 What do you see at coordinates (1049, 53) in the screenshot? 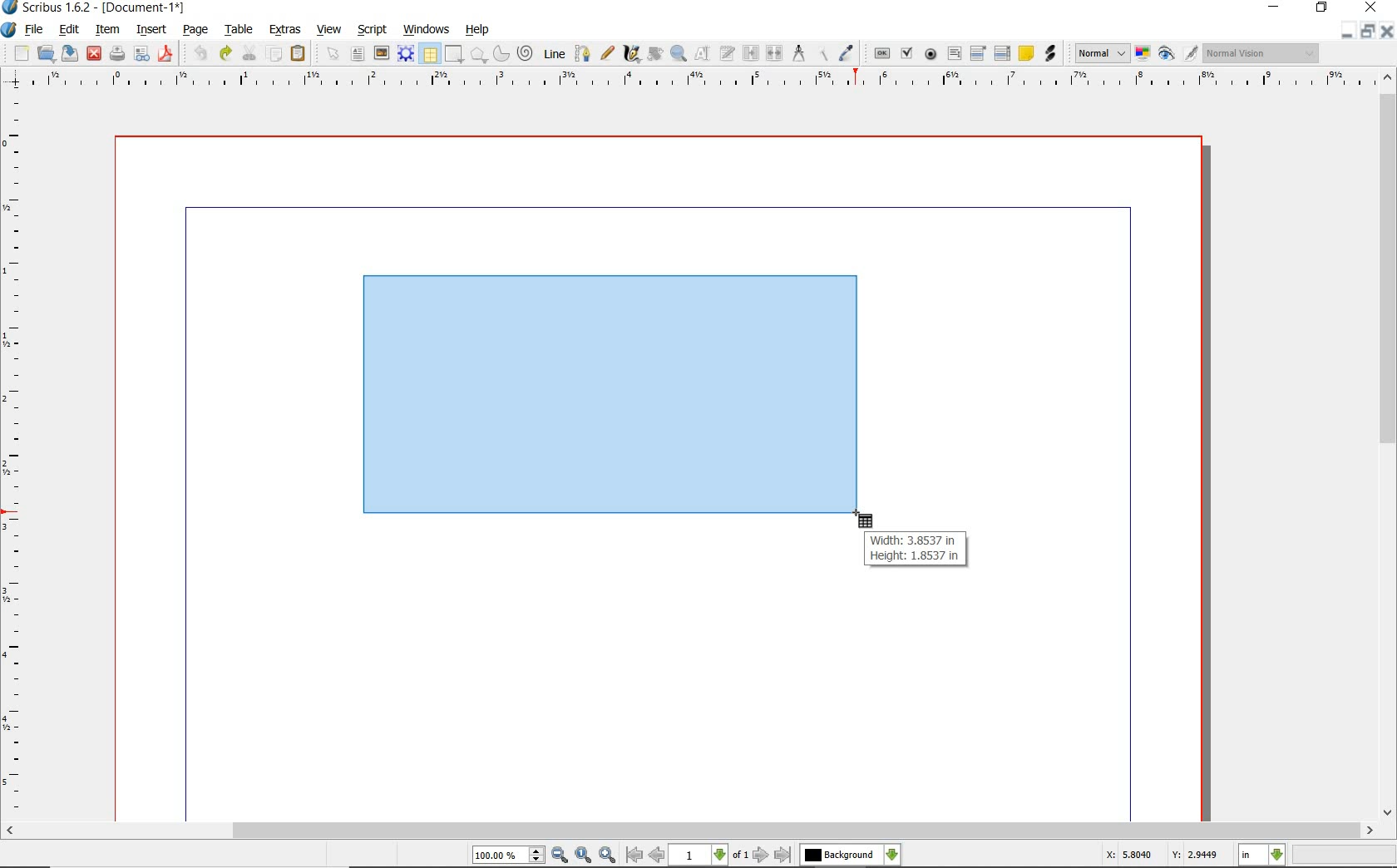
I see `link annotation` at bounding box center [1049, 53].